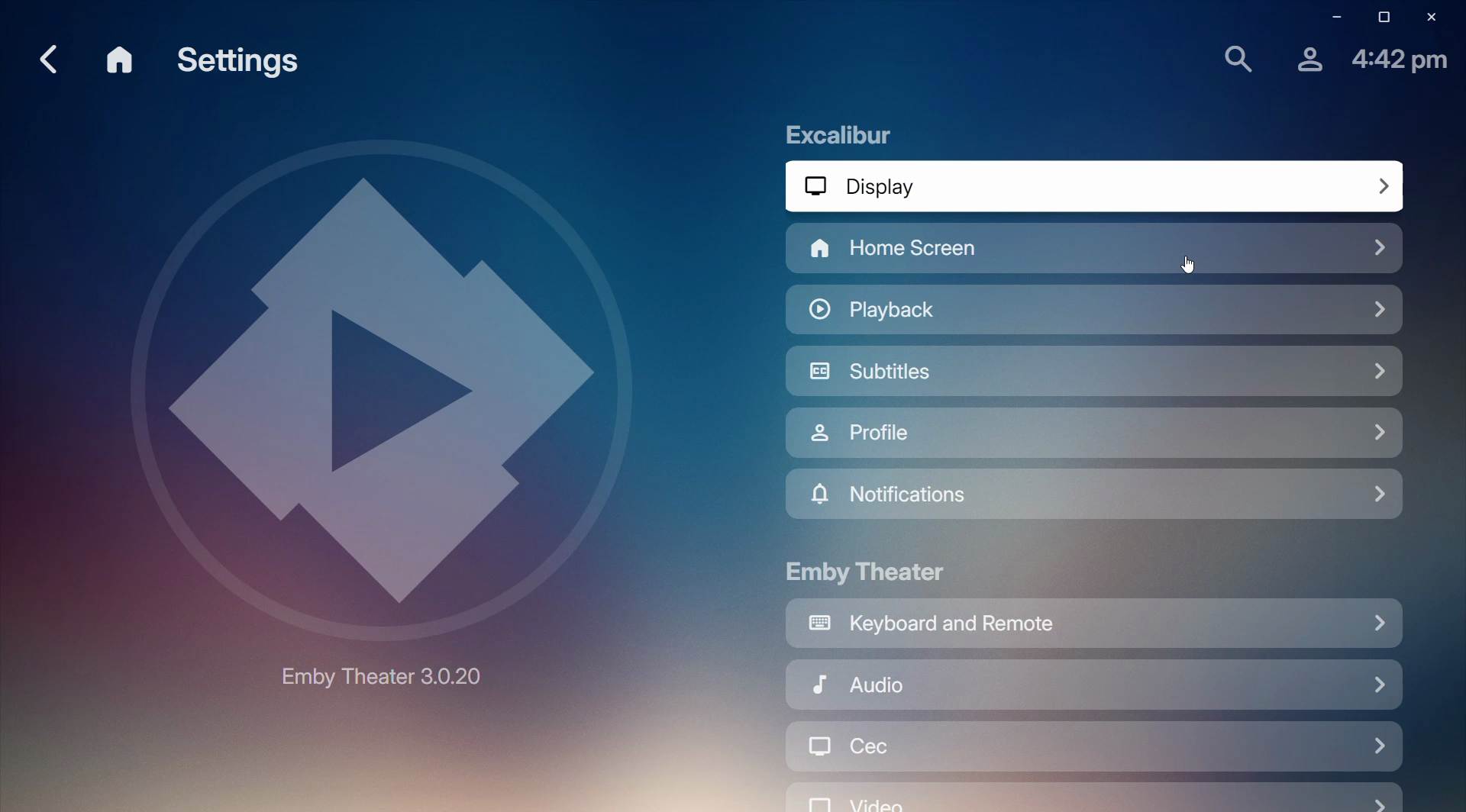 The height and width of the screenshot is (812, 1466). I want to click on Close, so click(1434, 18).